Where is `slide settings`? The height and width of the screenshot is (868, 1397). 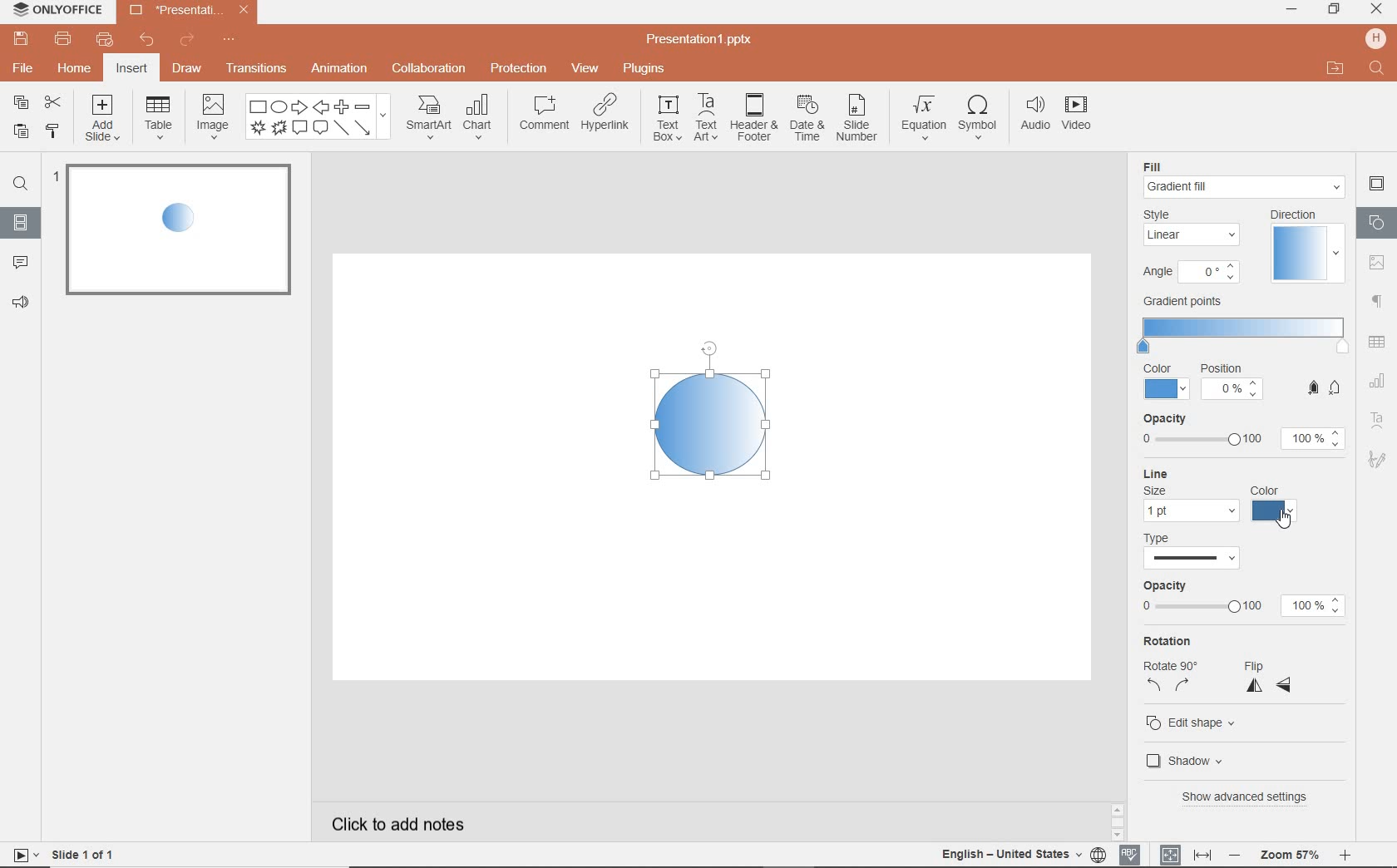
slide settings is located at coordinates (1376, 184).